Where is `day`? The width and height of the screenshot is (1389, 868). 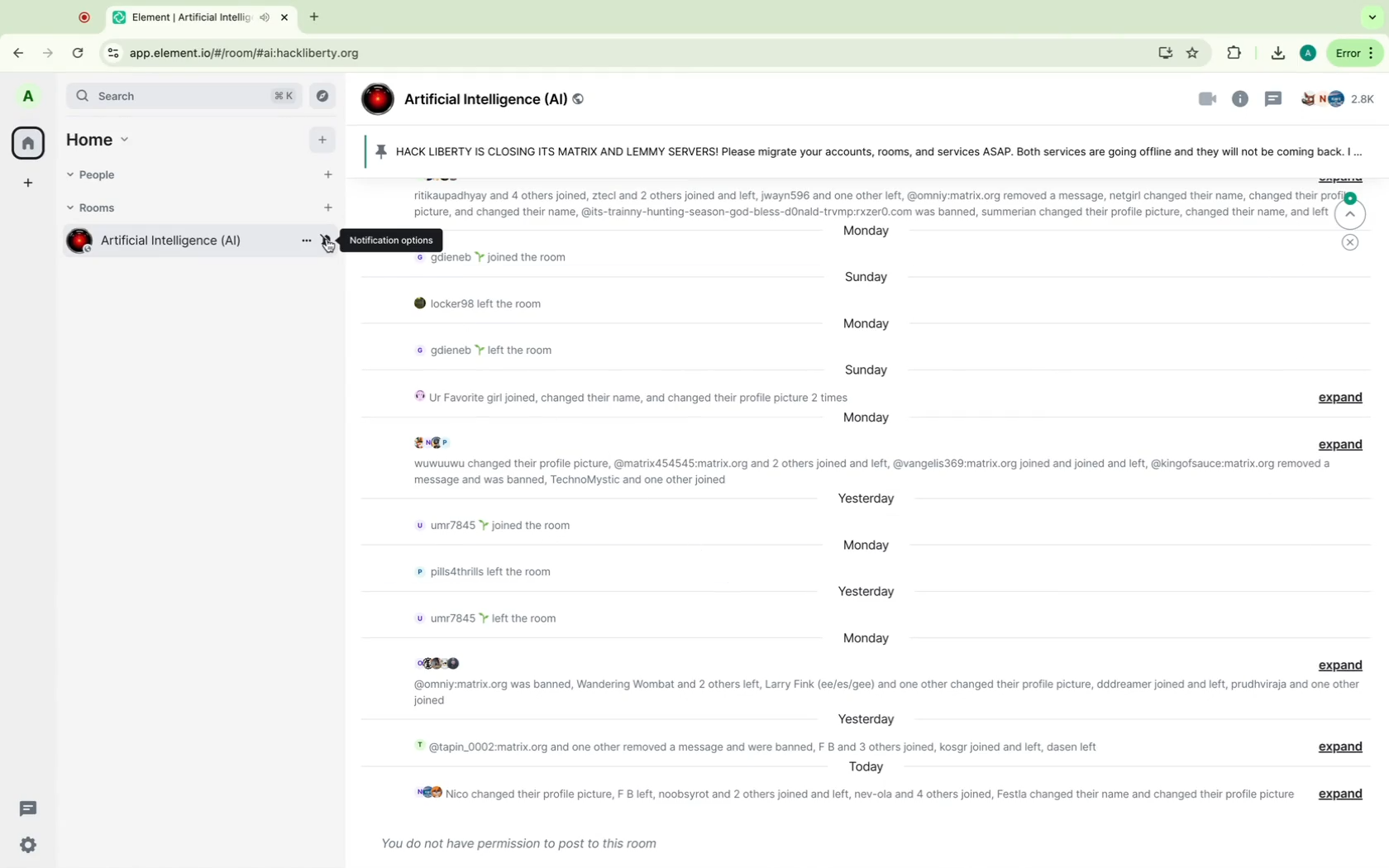 day is located at coordinates (865, 421).